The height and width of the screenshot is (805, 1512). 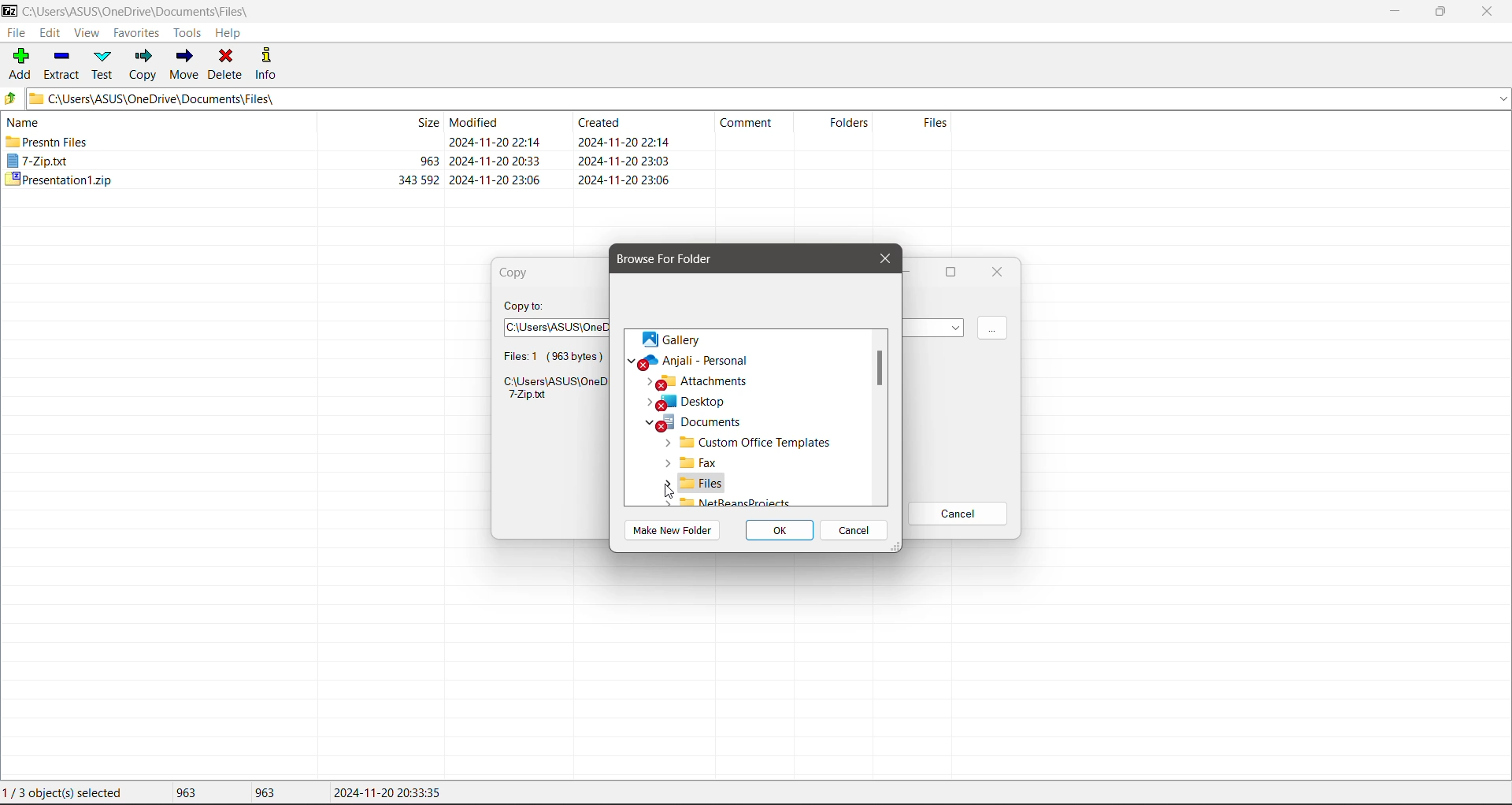 What do you see at coordinates (691, 361) in the screenshot?
I see `Anjali - Personal` at bounding box center [691, 361].